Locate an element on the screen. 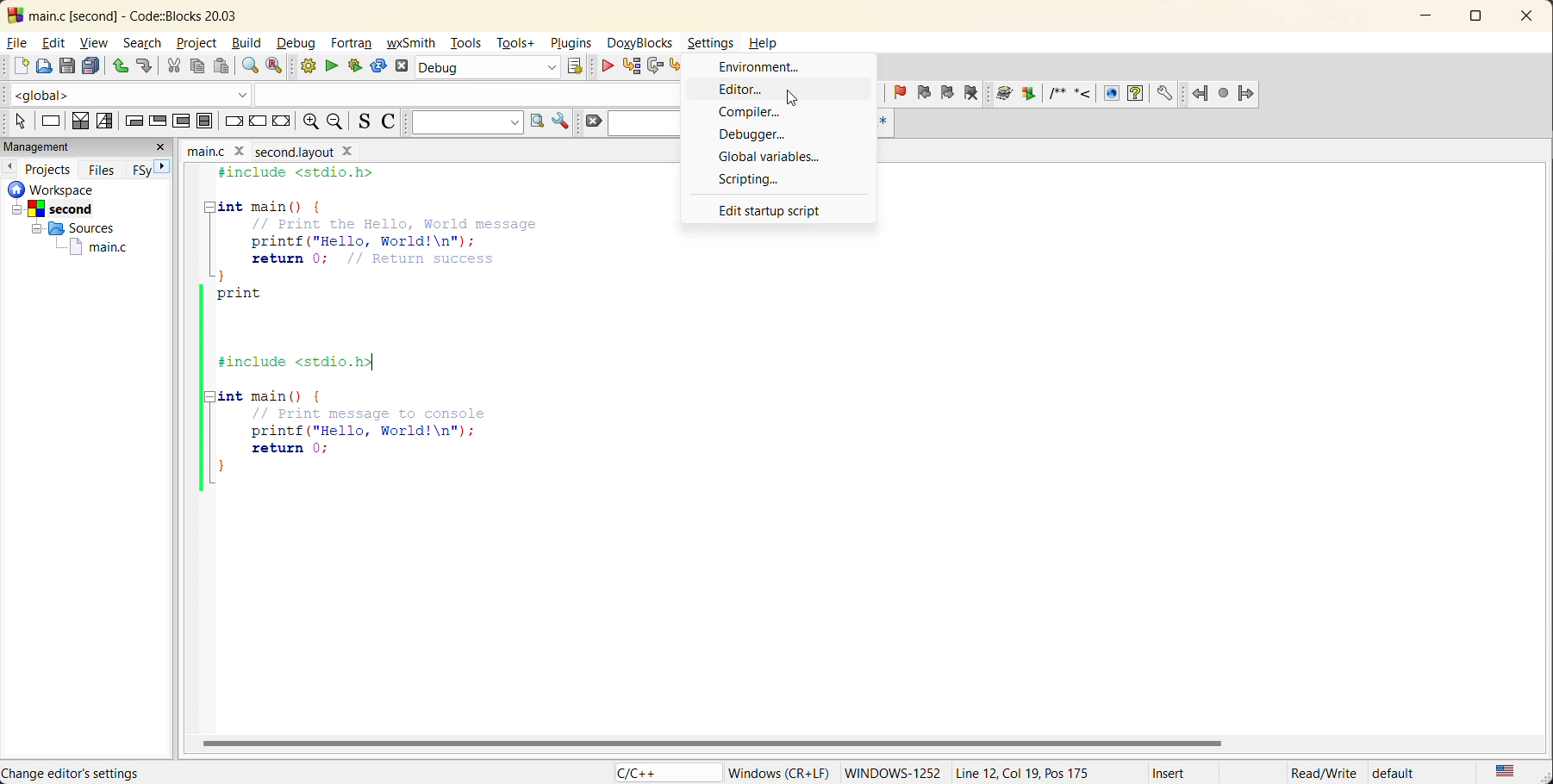  Second layout is located at coordinates (305, 150).